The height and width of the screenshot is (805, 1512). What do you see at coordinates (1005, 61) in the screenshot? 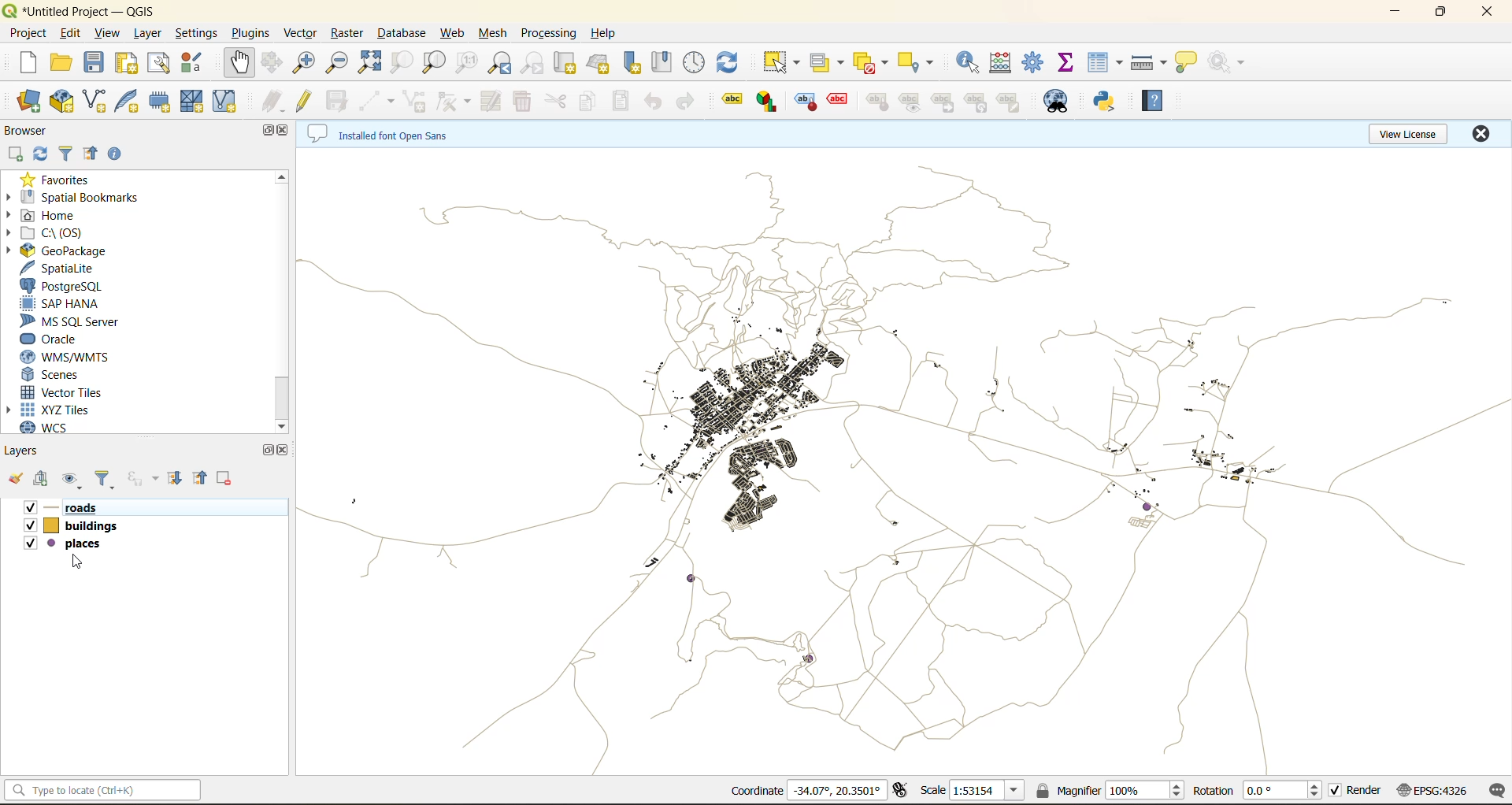
I see `open calculator` at bounding box center [1005, 61].